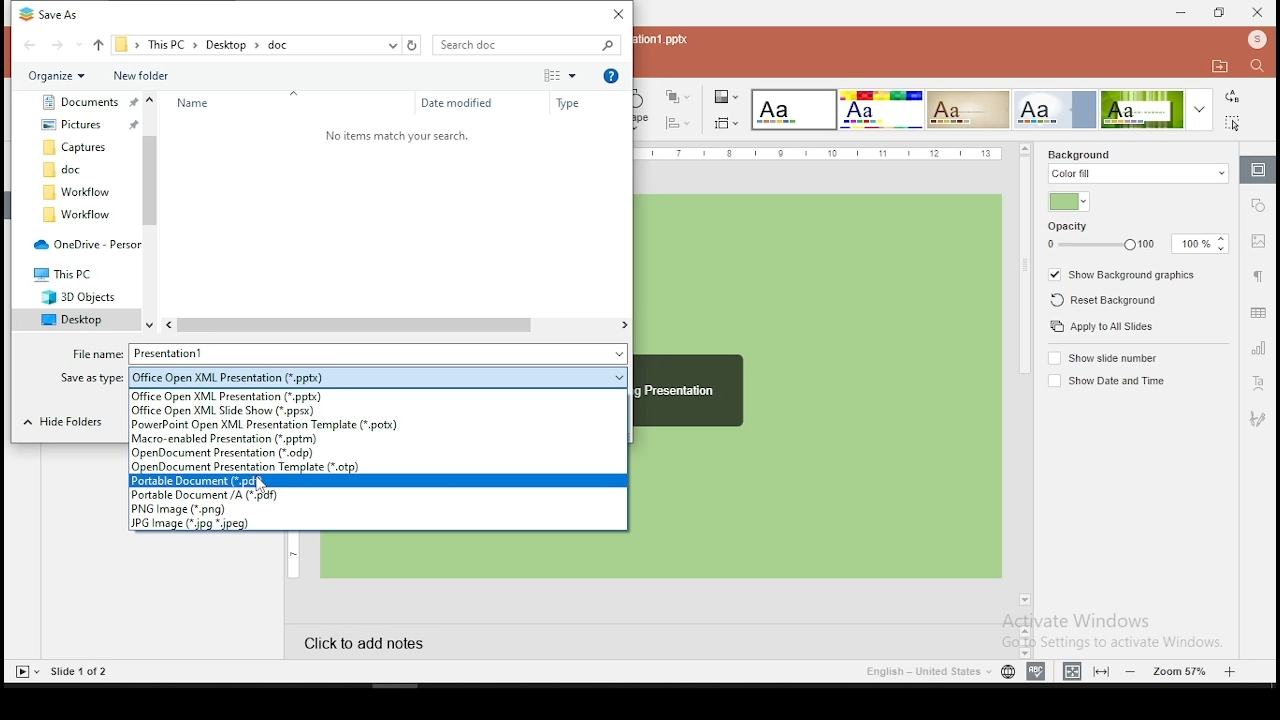 The image size is (1280, 720). What do you see at coordinates (613, 77) in the screenshot?
I see `Help` at bounding box center [613, 77].